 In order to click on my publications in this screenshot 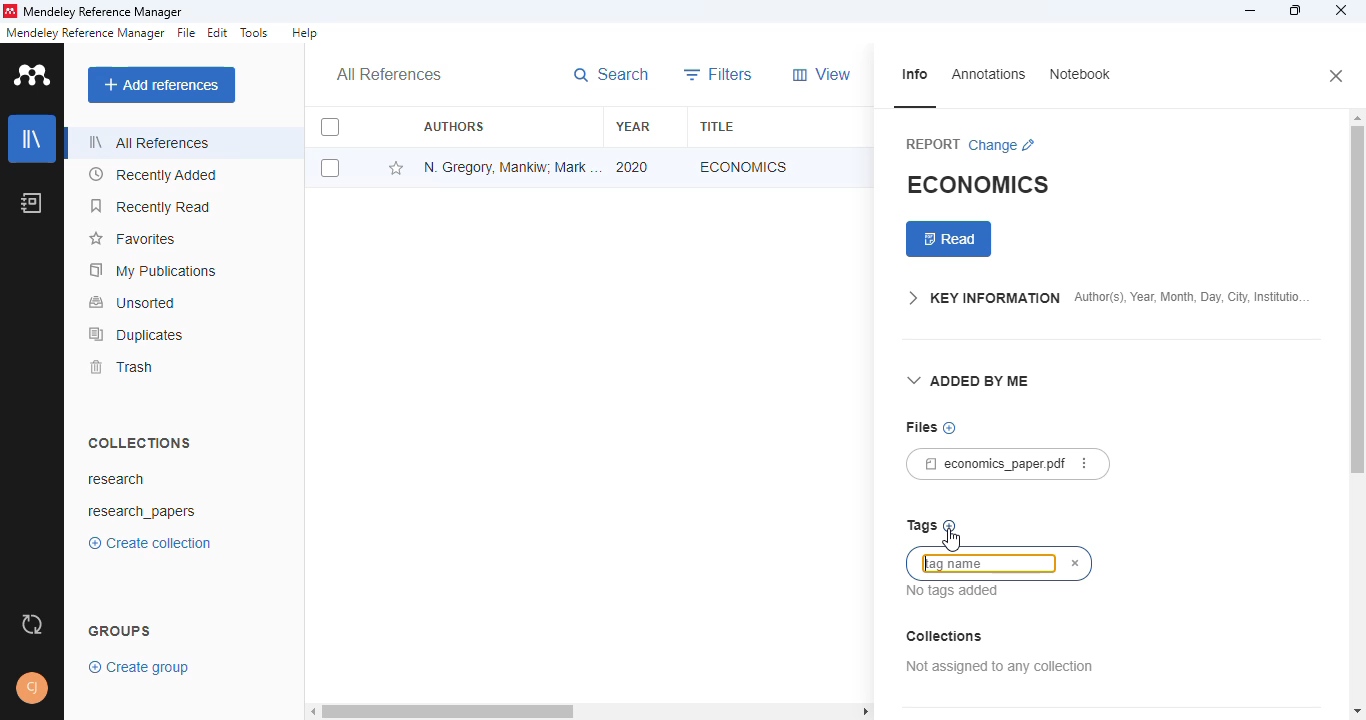, I will do `click(153, 271)`.